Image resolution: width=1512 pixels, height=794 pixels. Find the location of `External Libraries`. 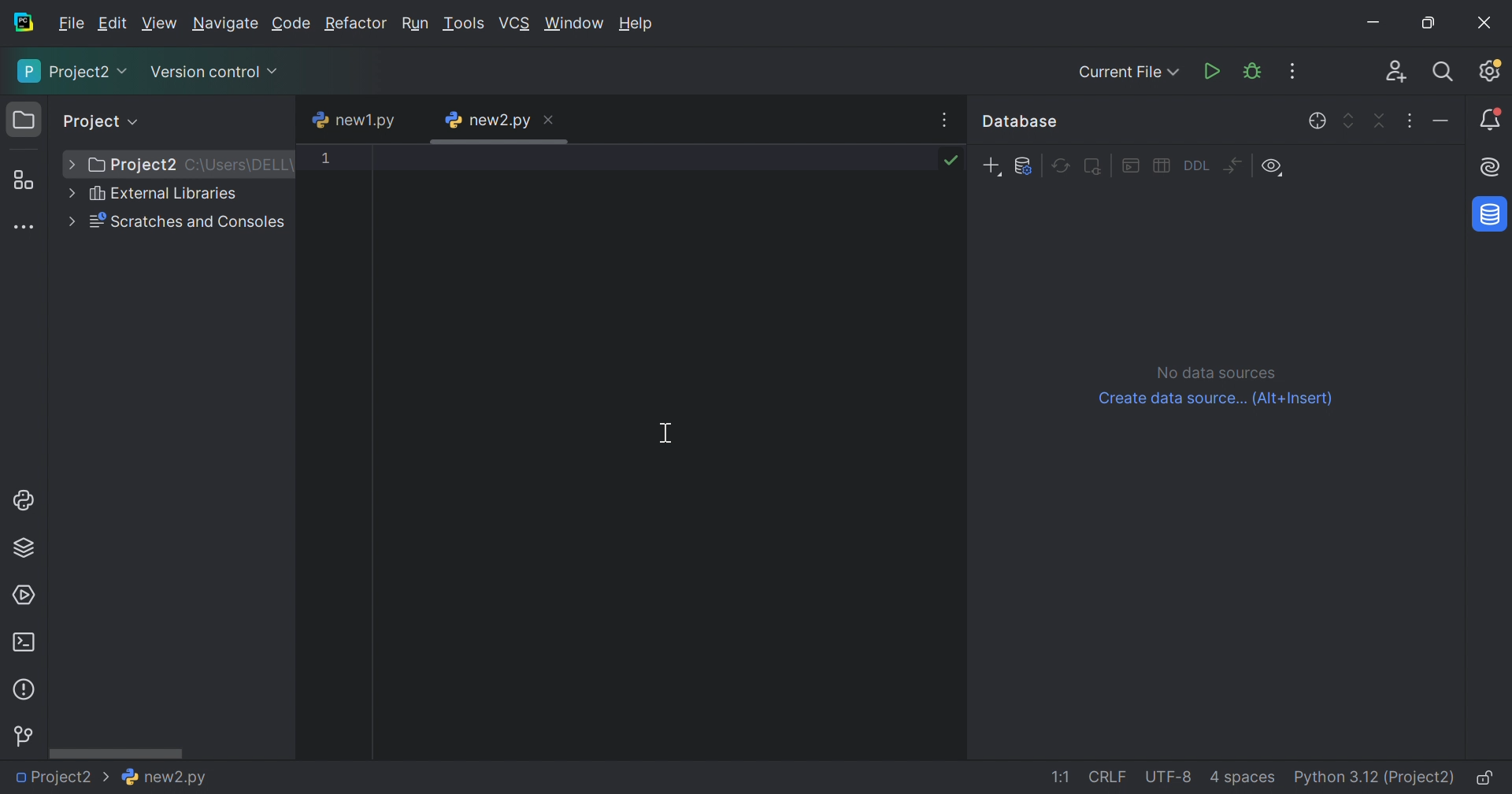

External Libraries is located at coordinates (163, 195).